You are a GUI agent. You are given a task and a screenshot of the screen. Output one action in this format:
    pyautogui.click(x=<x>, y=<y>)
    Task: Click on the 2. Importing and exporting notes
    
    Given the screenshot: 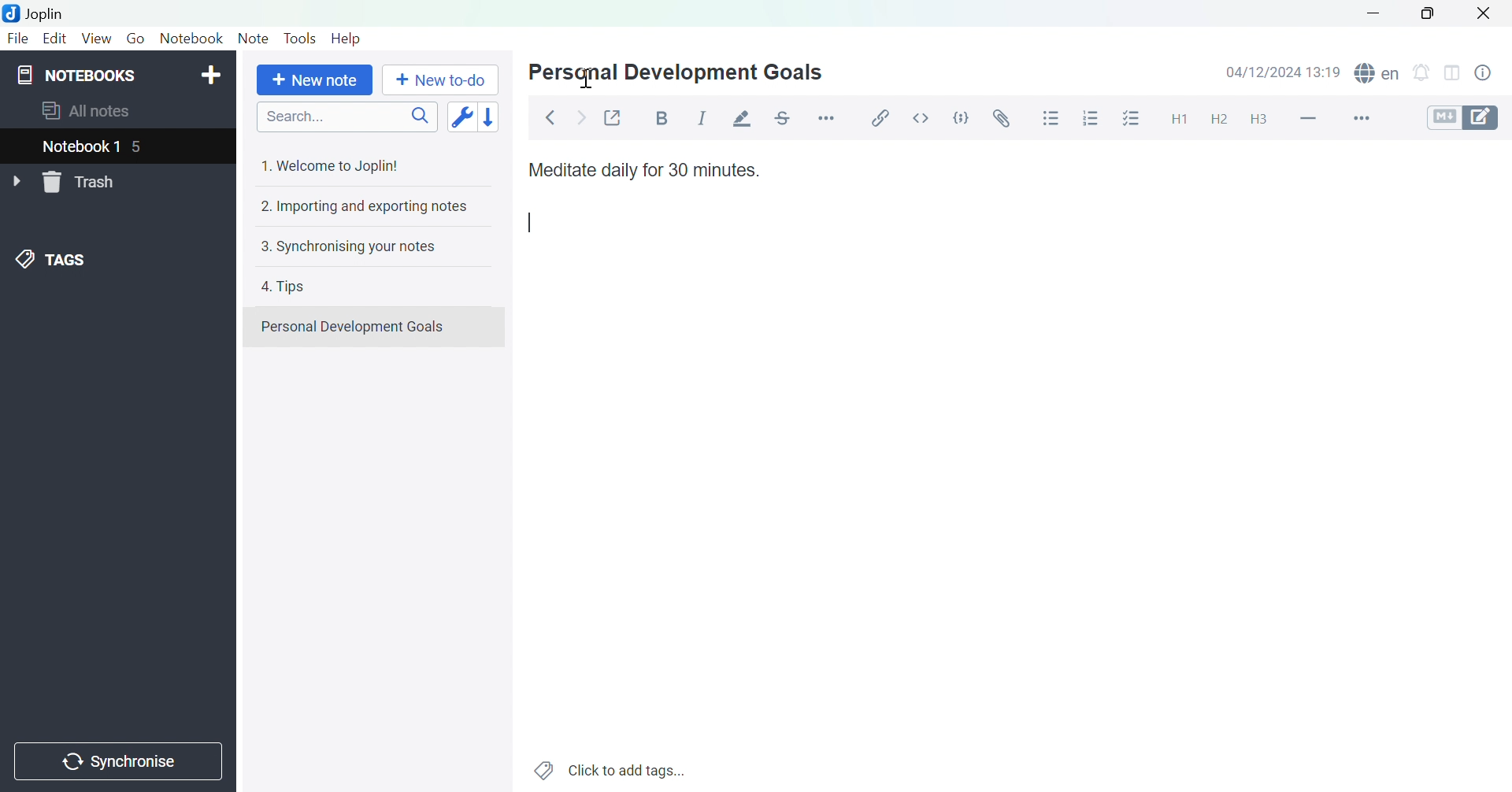 What is the action you would take?
    pyautogui.click(x=362, y=207)
    